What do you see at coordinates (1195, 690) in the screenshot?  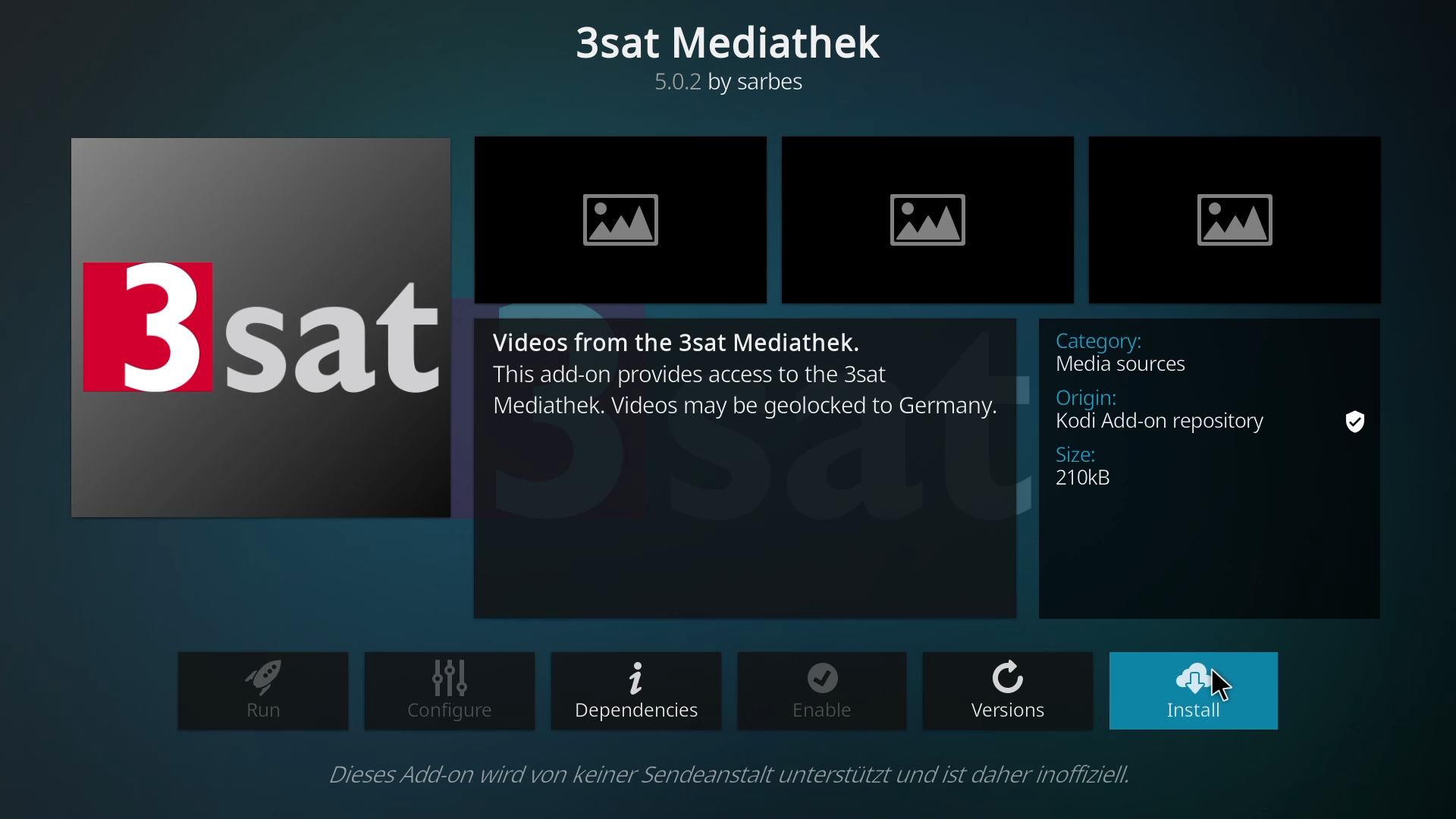 I see `install` at bounding box center [1195, 690].